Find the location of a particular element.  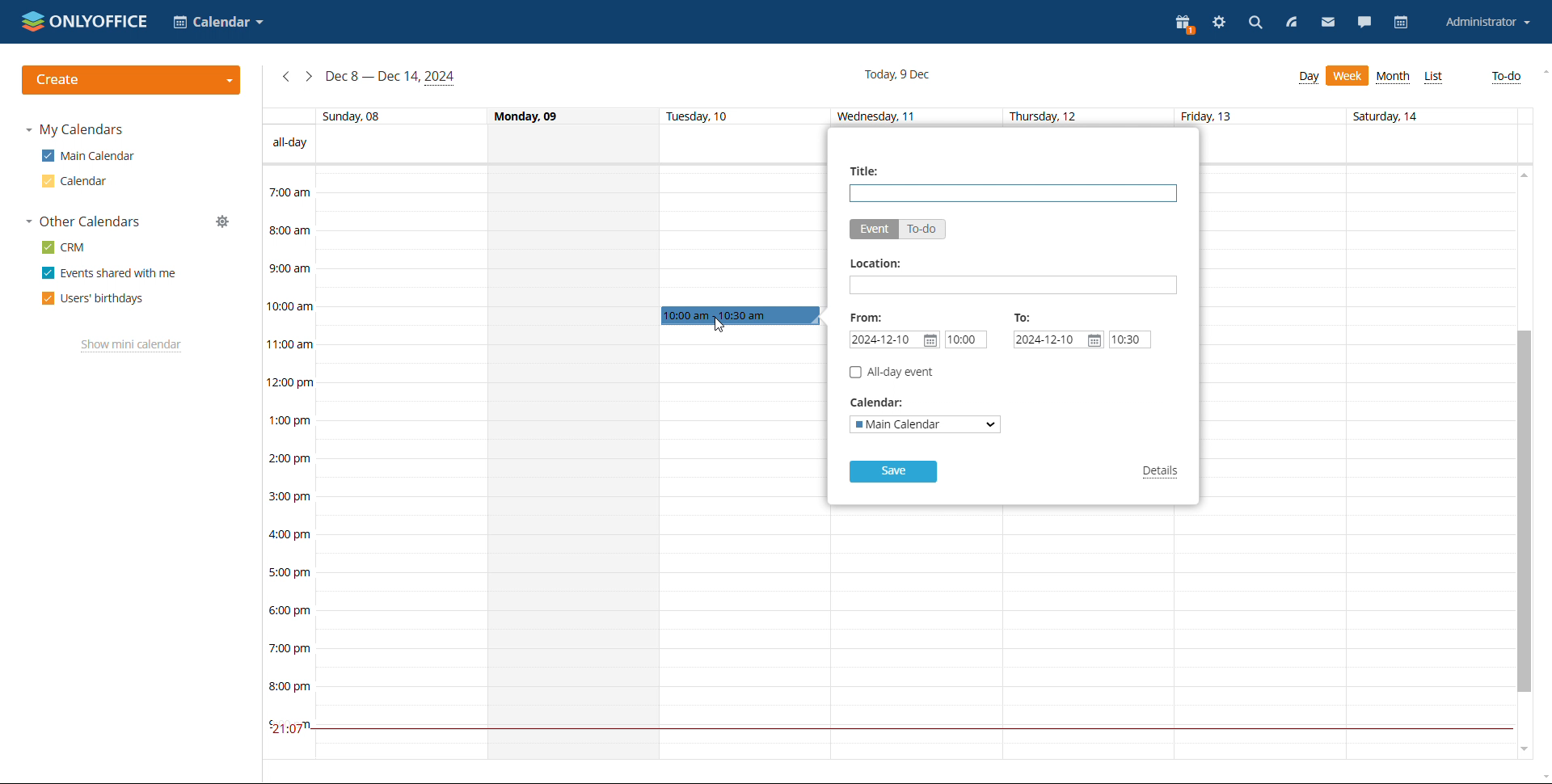

end date is located at coordinates (1058, 339).